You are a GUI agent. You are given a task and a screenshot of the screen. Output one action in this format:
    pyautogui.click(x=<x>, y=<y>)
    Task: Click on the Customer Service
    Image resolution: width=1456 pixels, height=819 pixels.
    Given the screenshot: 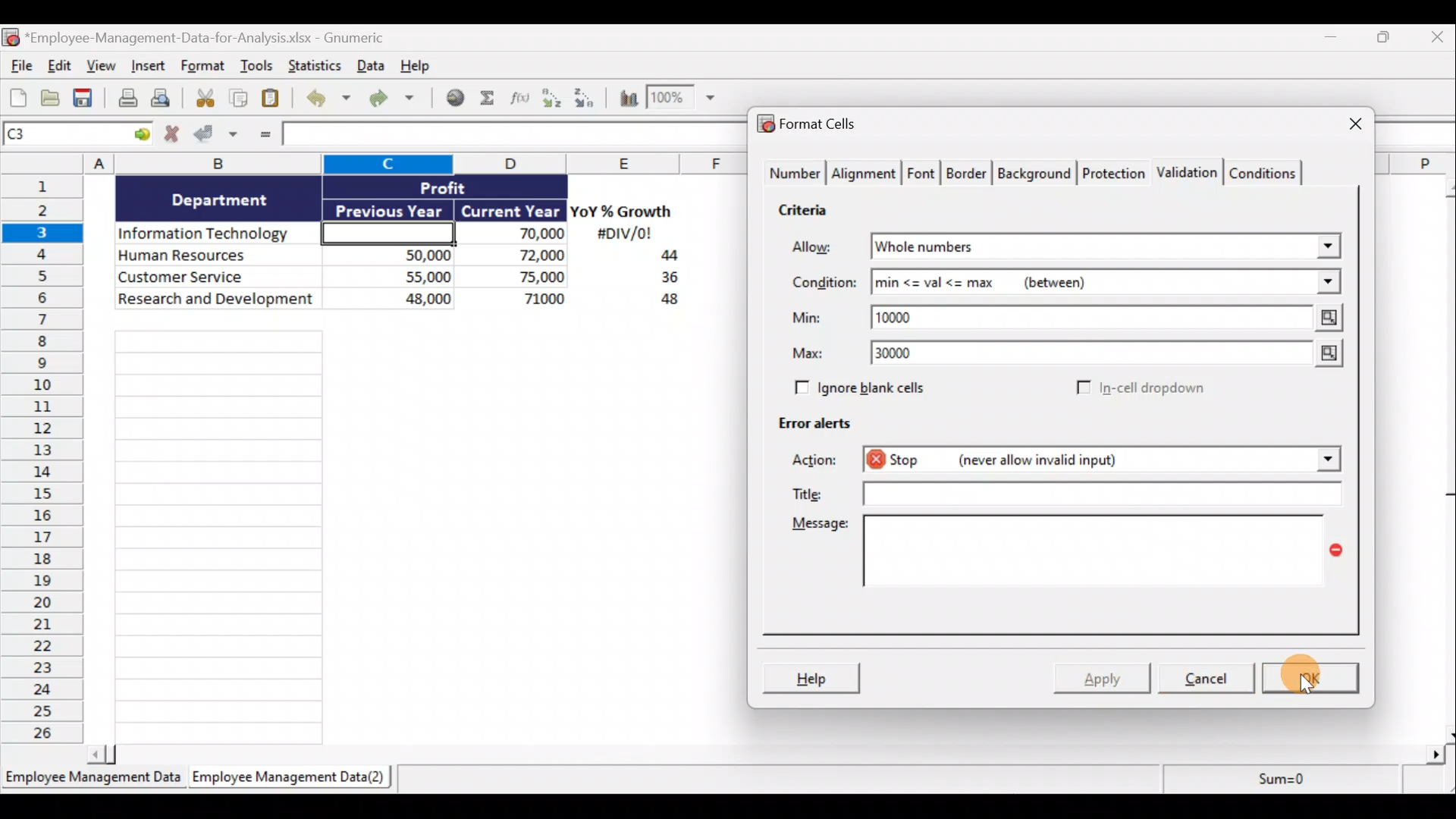 What is the action you would take?
    pyautogui.click(x=218, y=275)
    